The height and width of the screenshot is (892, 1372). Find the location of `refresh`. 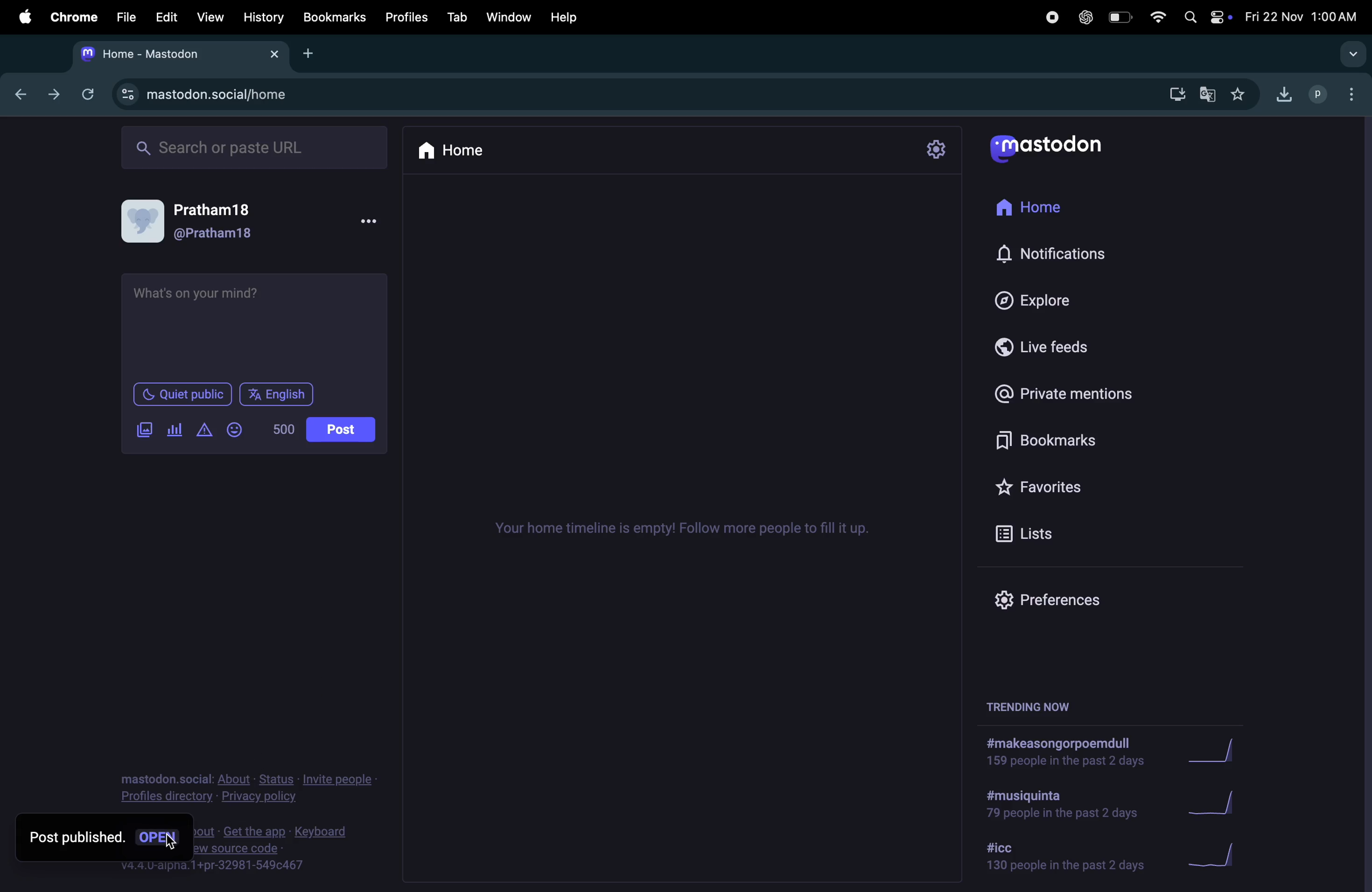

refresh is located at coordinates (88, 93).